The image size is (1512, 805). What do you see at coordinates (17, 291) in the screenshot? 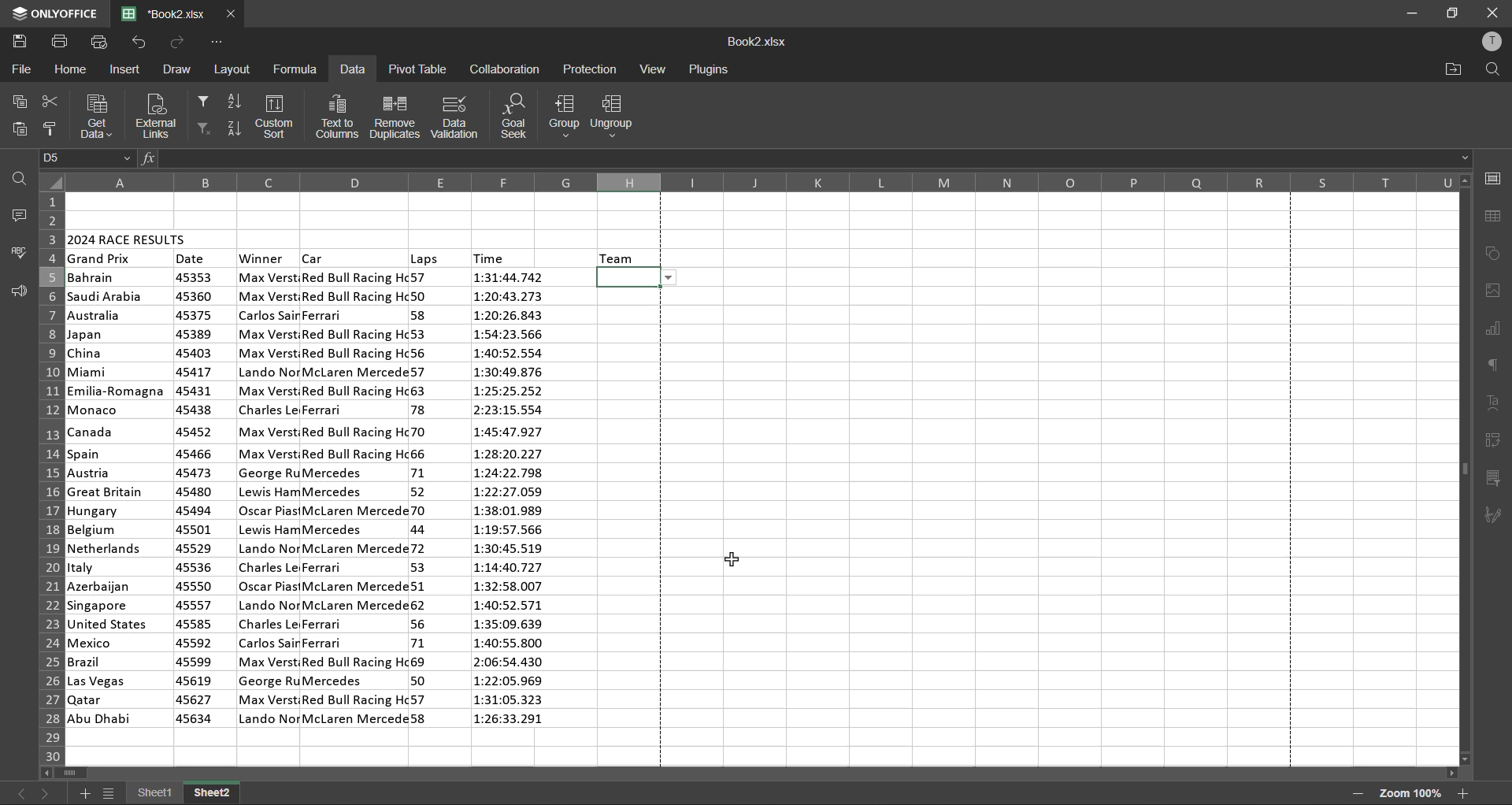
I see `feedback` at bounding box center [17, 291].